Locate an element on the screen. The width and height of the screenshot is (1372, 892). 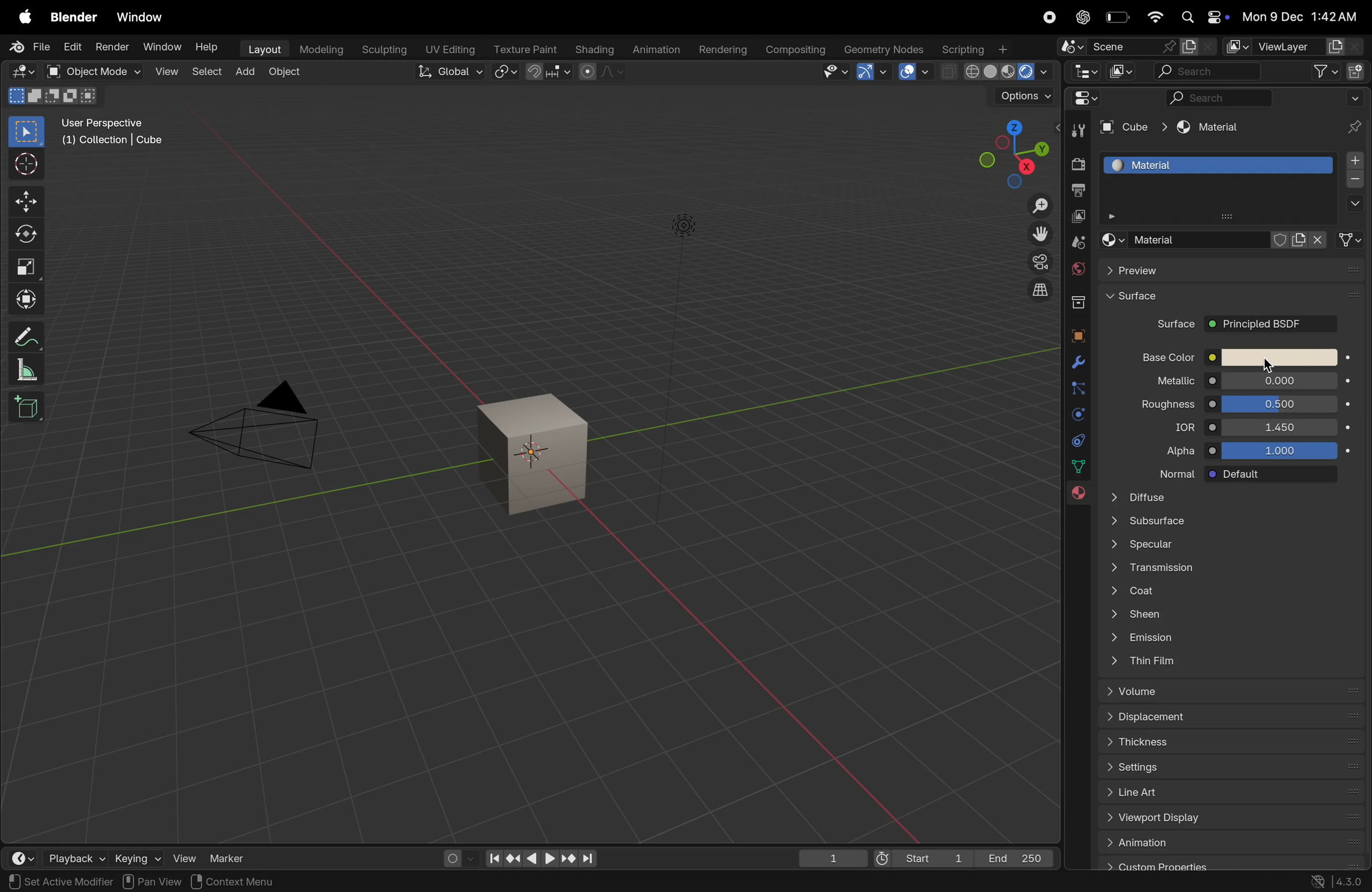
scene is located at coordinates (1132, 46).